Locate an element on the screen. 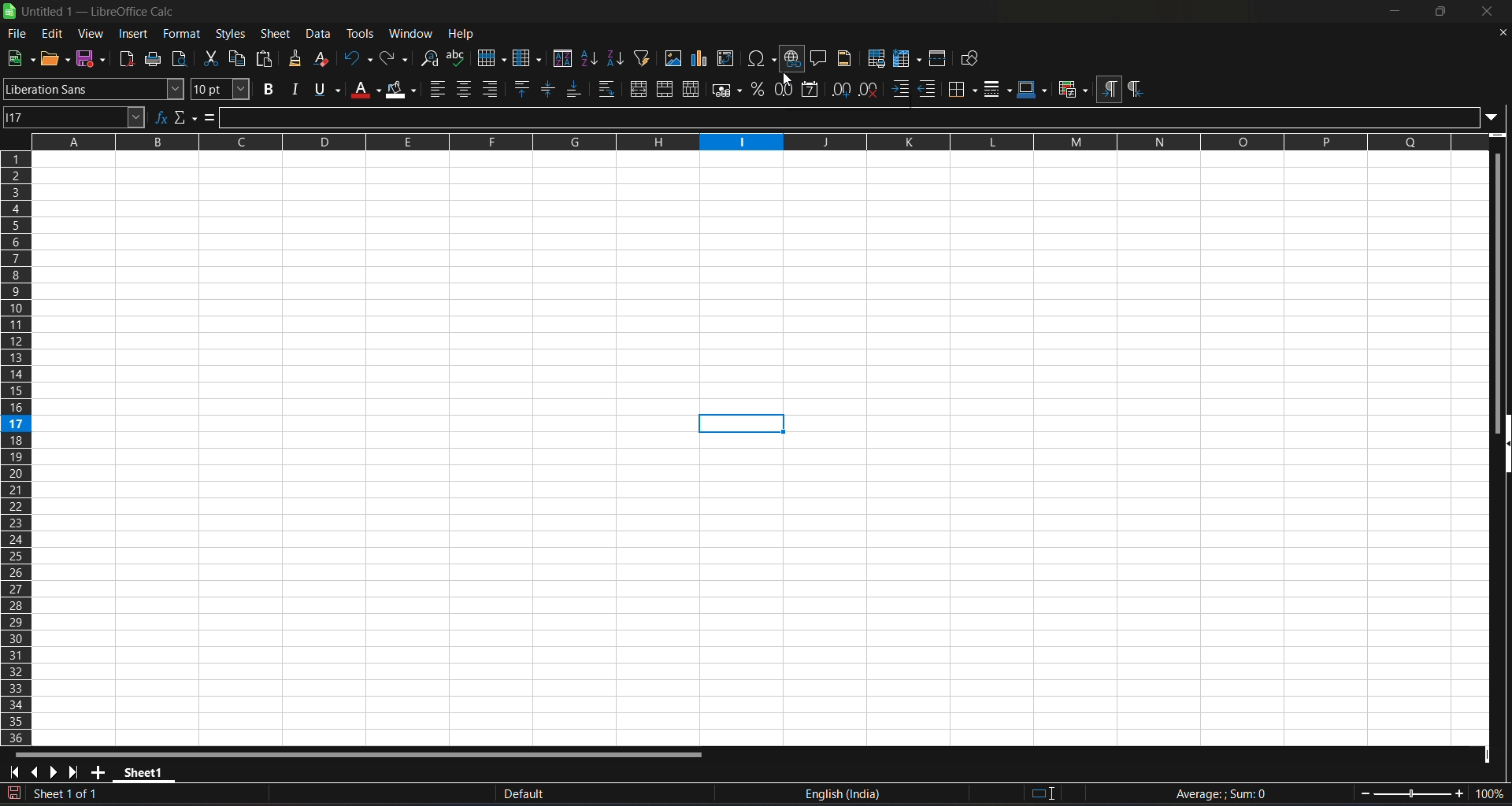 The width and height of the screenshot is (1512, 806). name box is located at coordinates (76, 117).